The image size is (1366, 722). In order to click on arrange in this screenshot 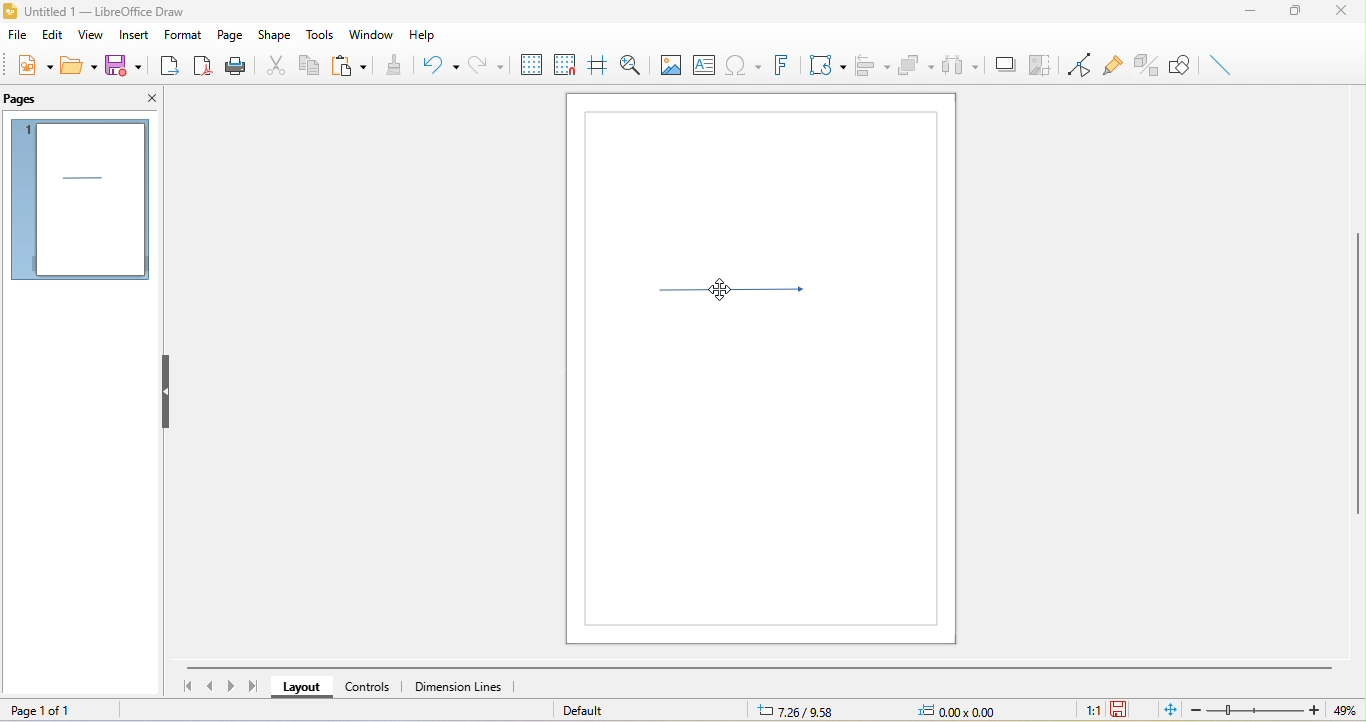, I will do `click(917, 67)`.